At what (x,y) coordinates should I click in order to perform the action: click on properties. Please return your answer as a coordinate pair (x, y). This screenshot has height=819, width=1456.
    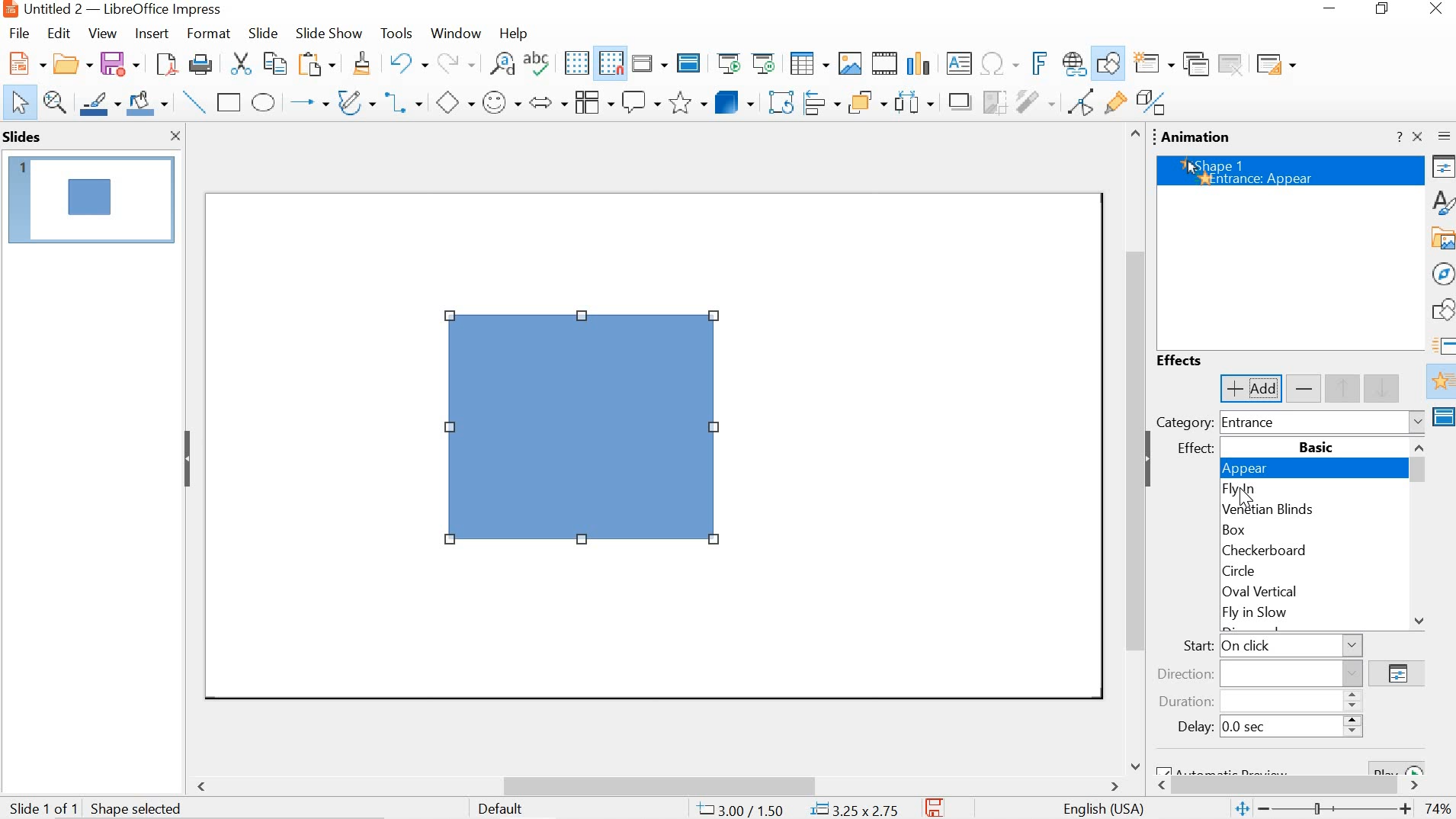
    Looking at the image, I should click on (1443, 166).